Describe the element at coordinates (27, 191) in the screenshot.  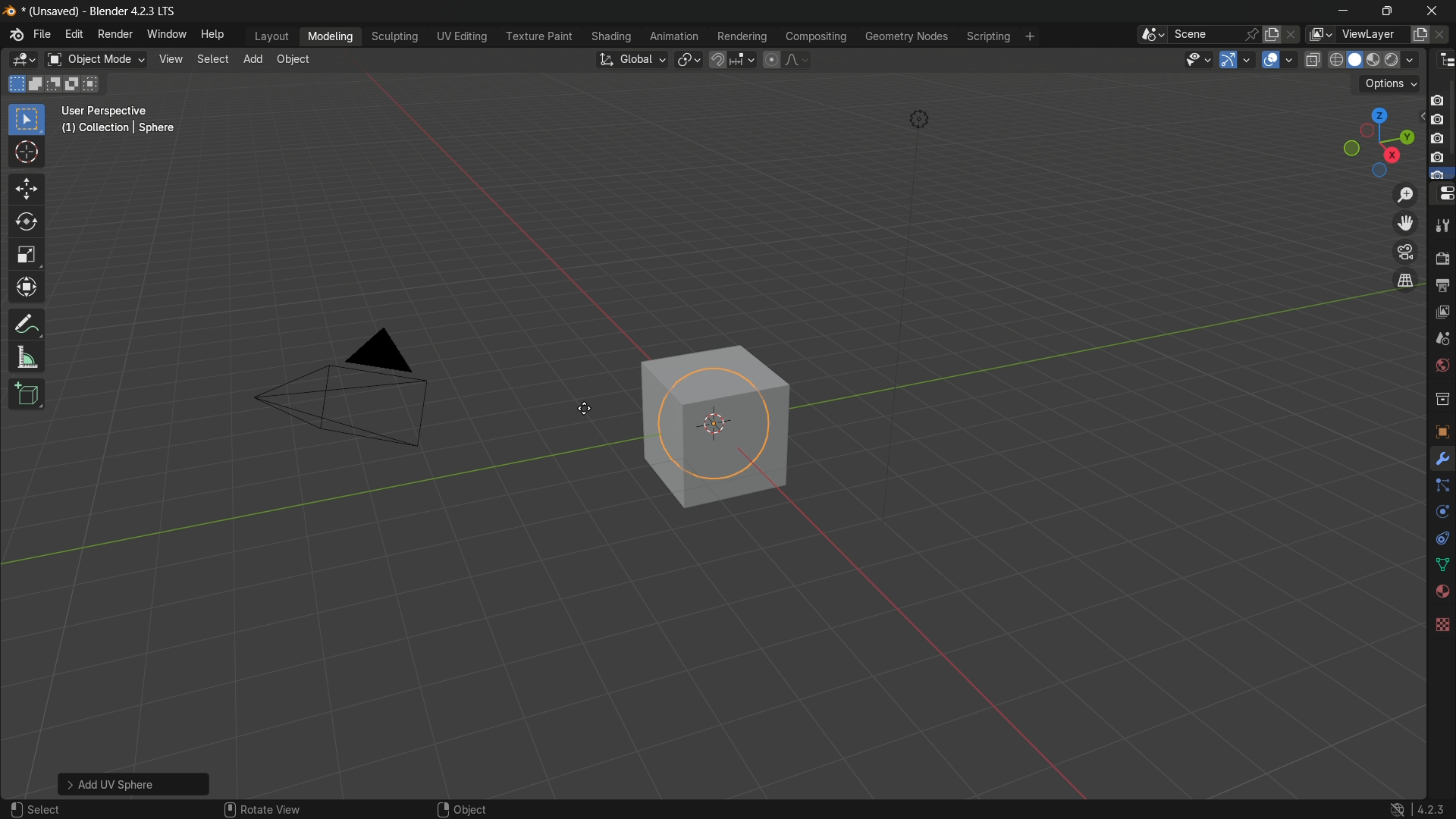
I see `move` at that location.